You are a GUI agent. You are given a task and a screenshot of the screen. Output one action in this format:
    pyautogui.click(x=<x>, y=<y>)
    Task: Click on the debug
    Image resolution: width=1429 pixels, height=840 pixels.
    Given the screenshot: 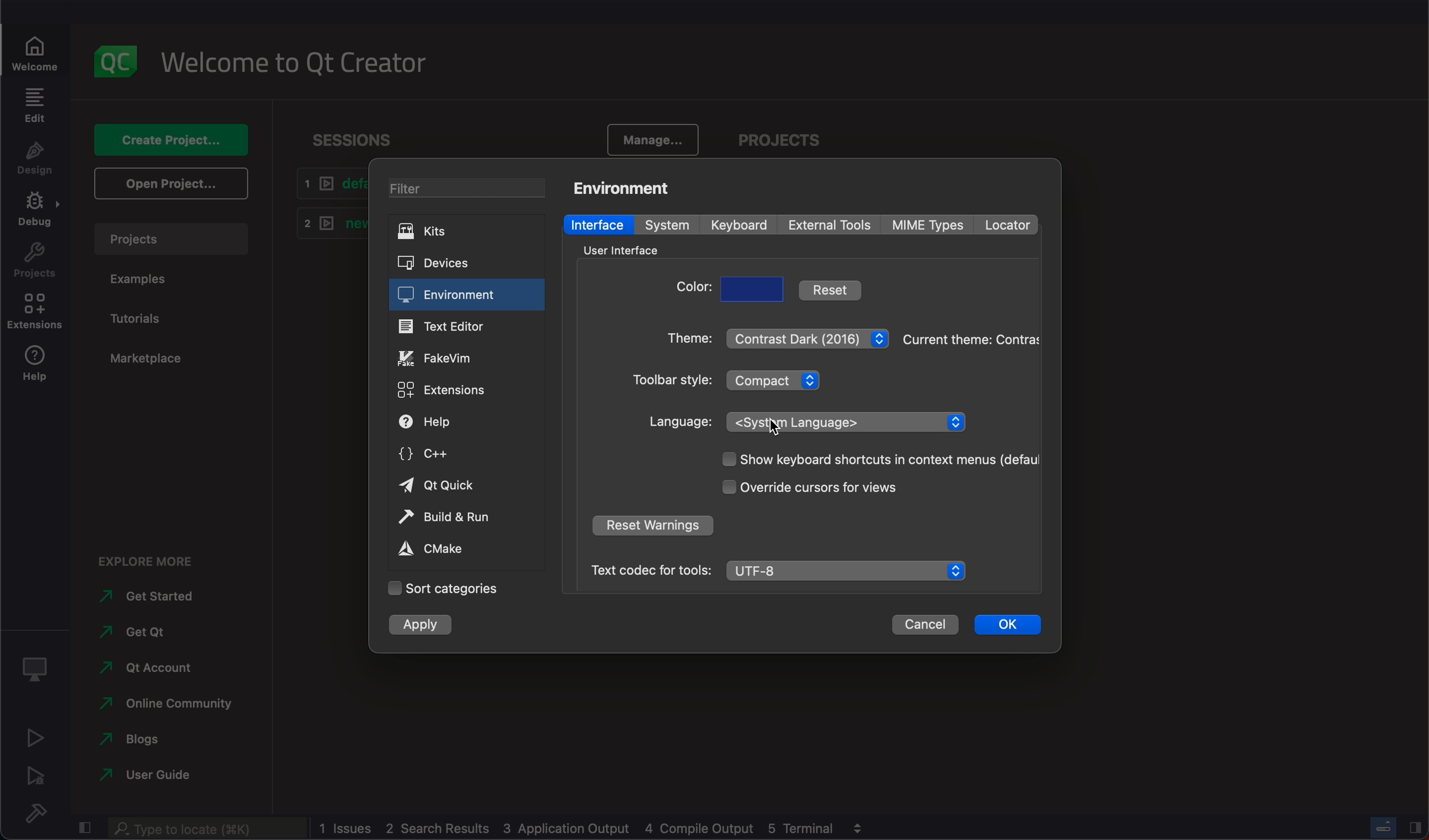 What is the action you would take?
    pyautogui.click(x=36, y=211)
    